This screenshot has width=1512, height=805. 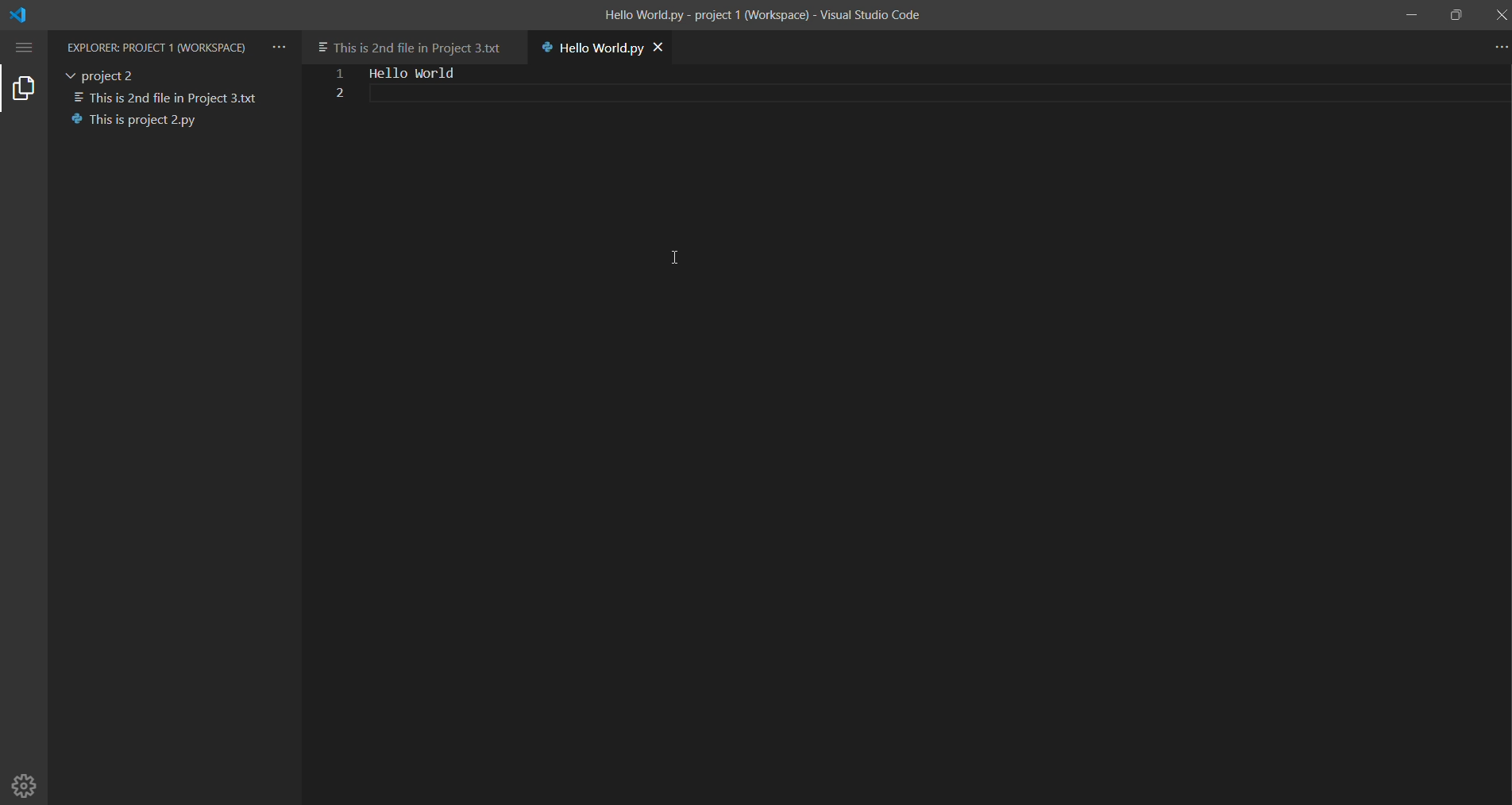 What do you see at coordinates (169, 95) in the screenshot?
I see `This is 2nd file in Proiect 3.txt` at bounding box center [169, 95].